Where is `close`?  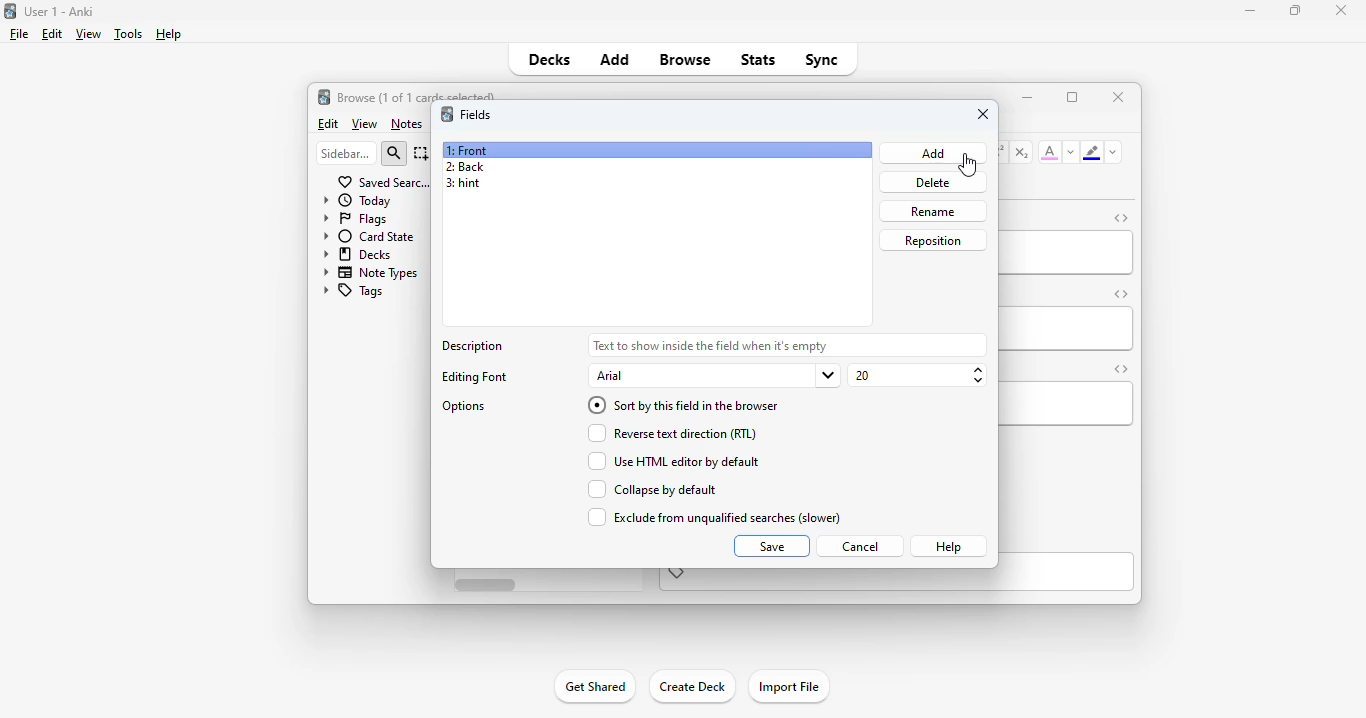
close is located at coordinates (984, 114).